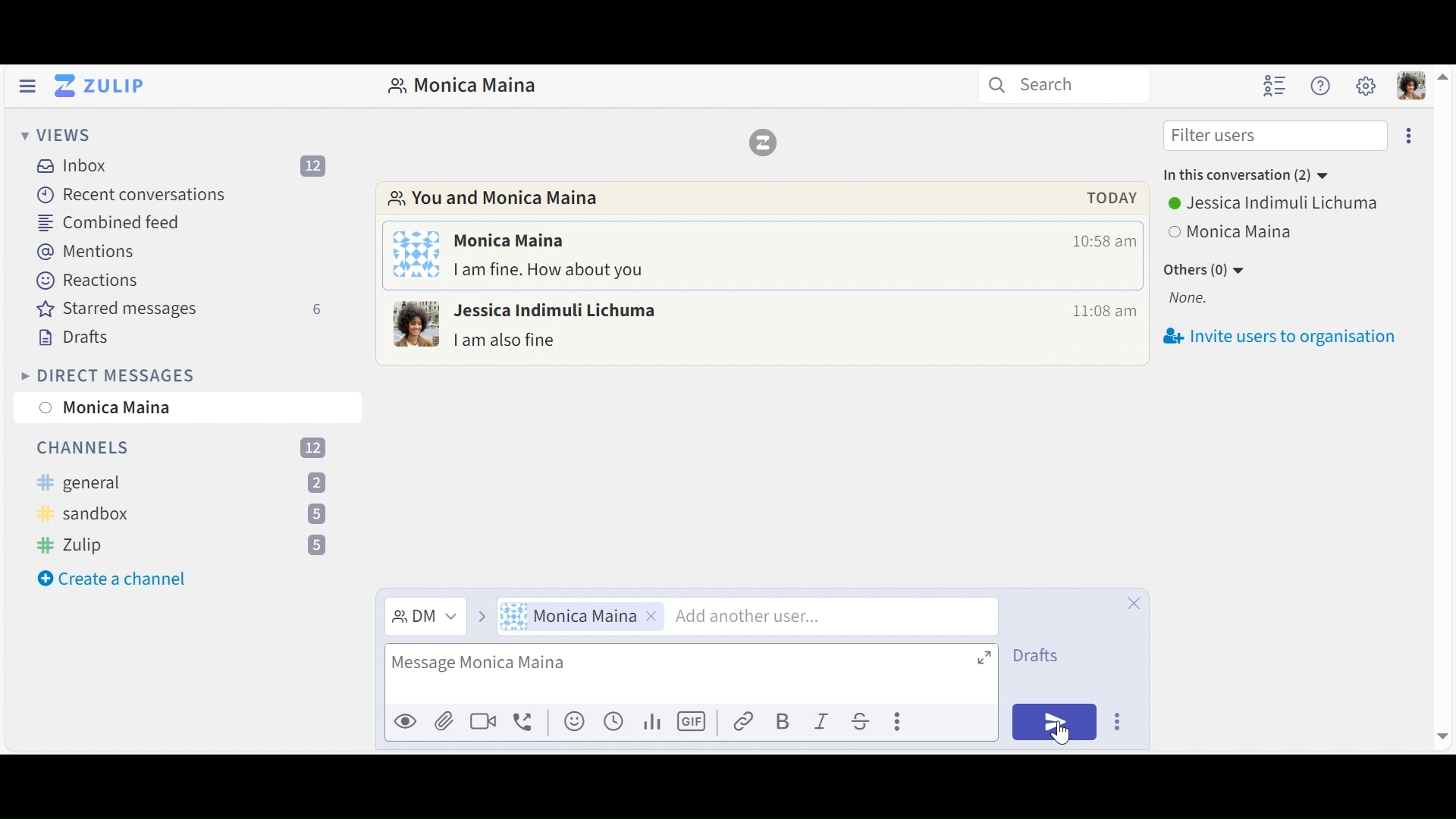  I want to click on invite, so click(1285, 339).